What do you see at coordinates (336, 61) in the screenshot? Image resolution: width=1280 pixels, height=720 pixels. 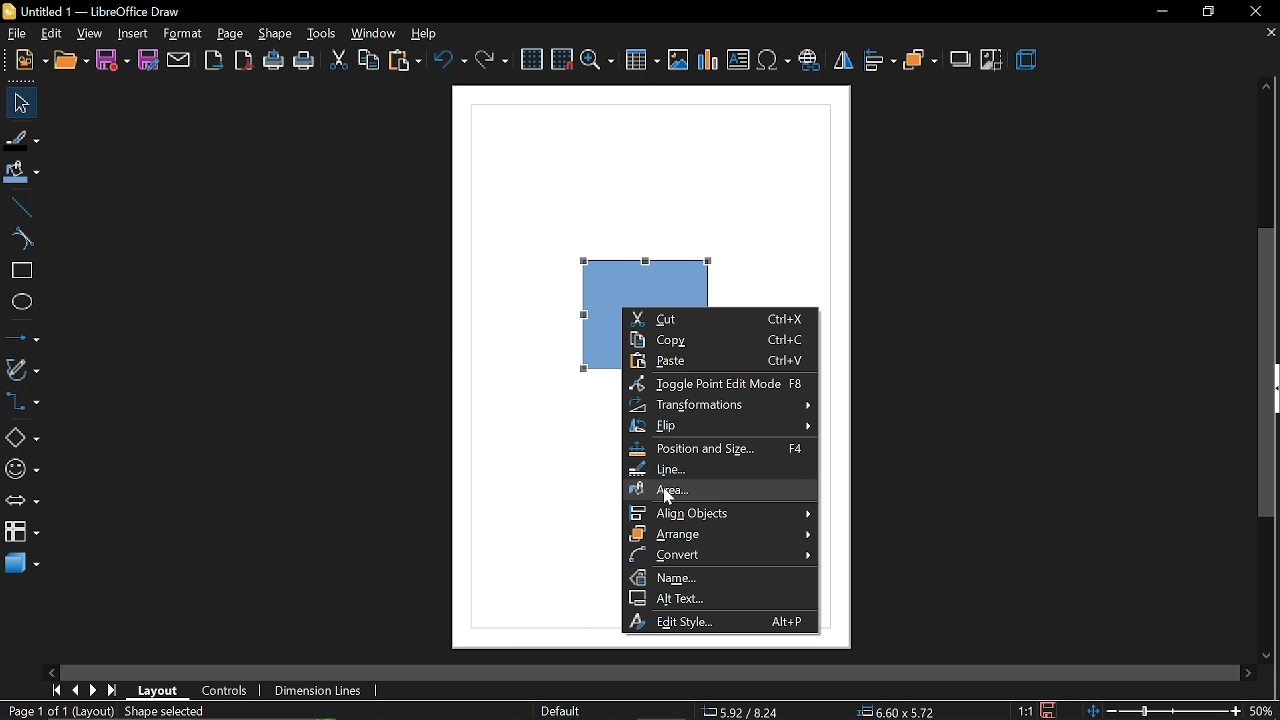 I see `cut ` at bounding box center [336, 61].